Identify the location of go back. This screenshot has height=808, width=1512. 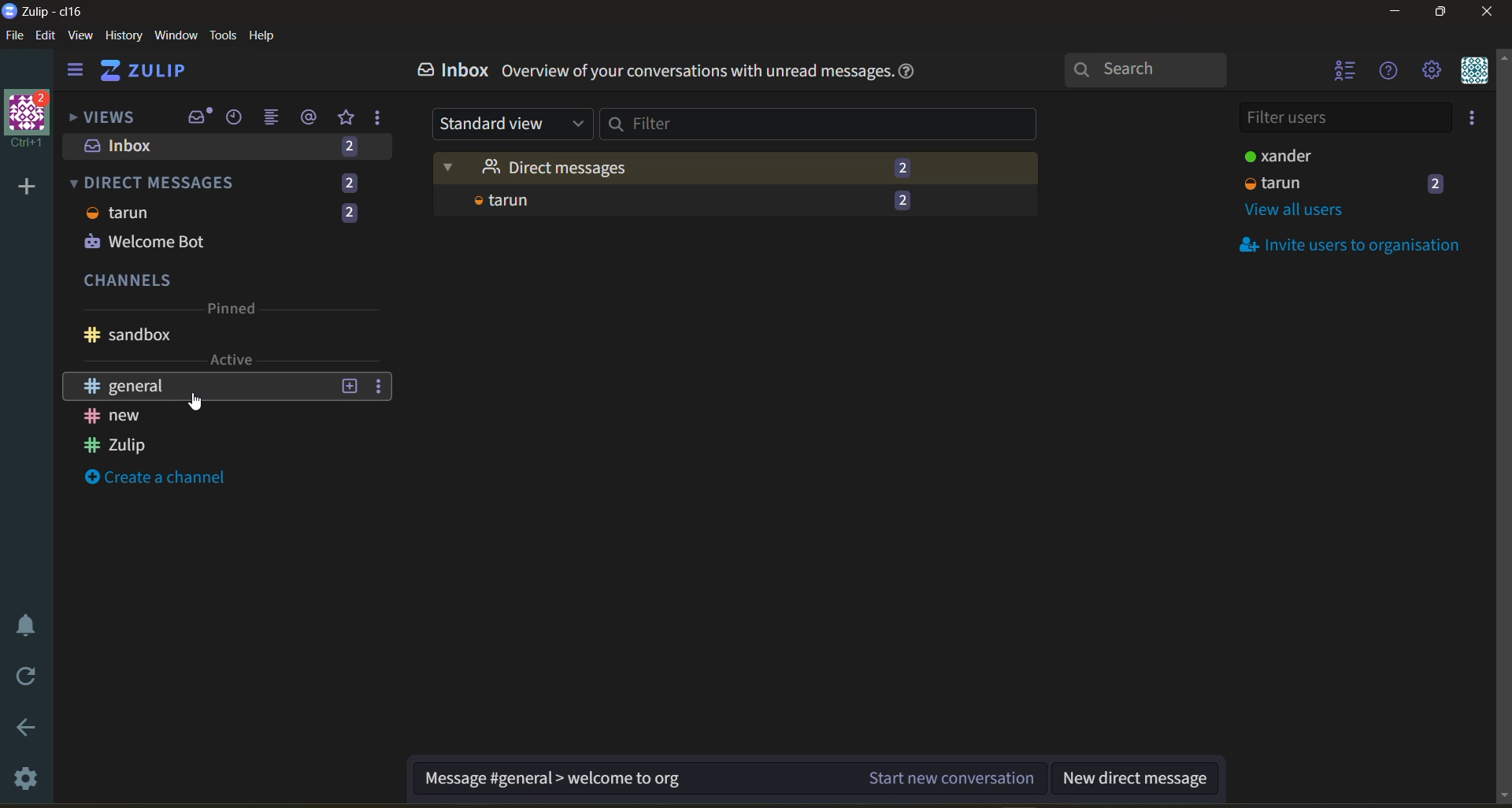
(24, 728).